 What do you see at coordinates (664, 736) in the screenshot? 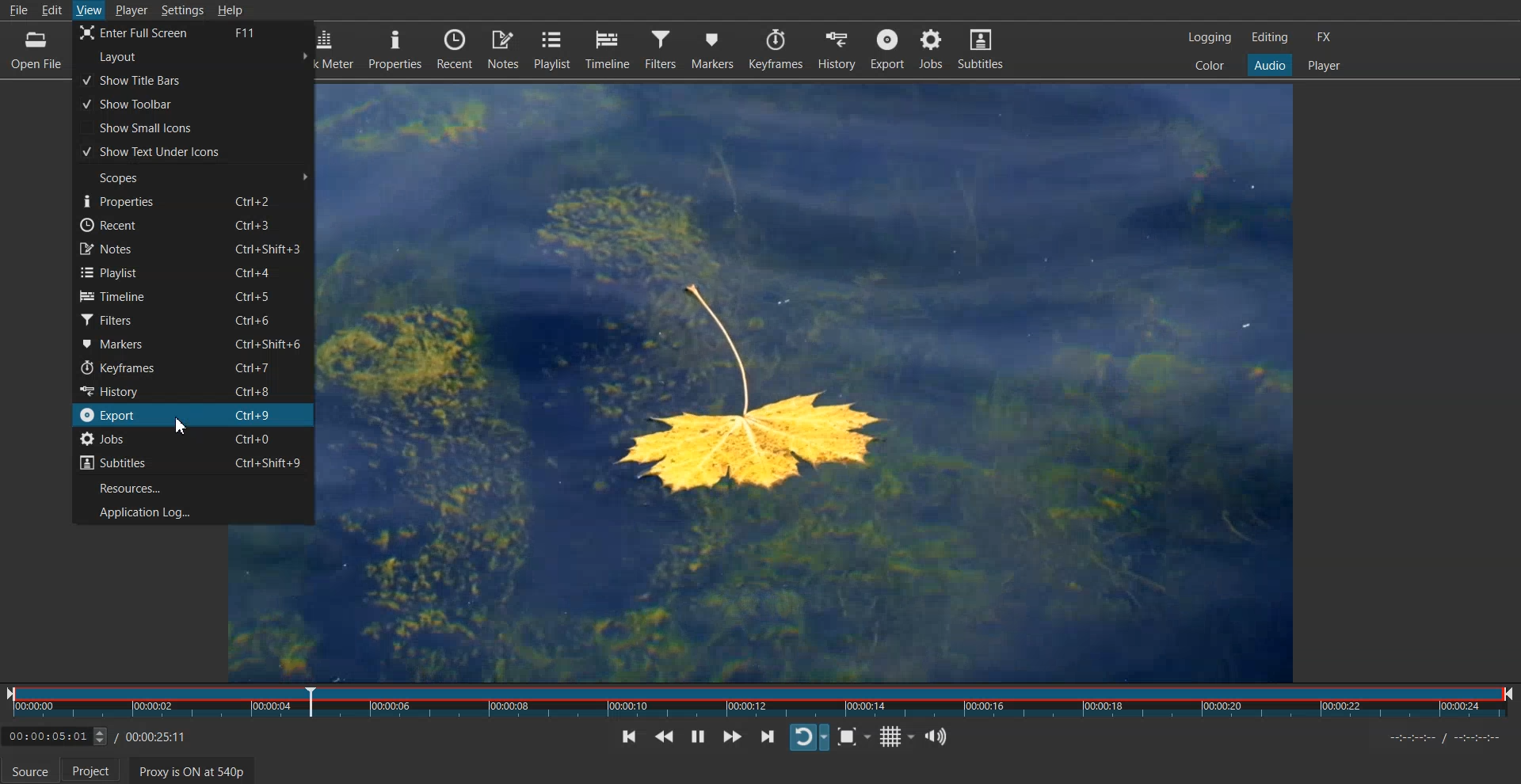
I see `Play quickly backwards` at bounding box center [664, 736].